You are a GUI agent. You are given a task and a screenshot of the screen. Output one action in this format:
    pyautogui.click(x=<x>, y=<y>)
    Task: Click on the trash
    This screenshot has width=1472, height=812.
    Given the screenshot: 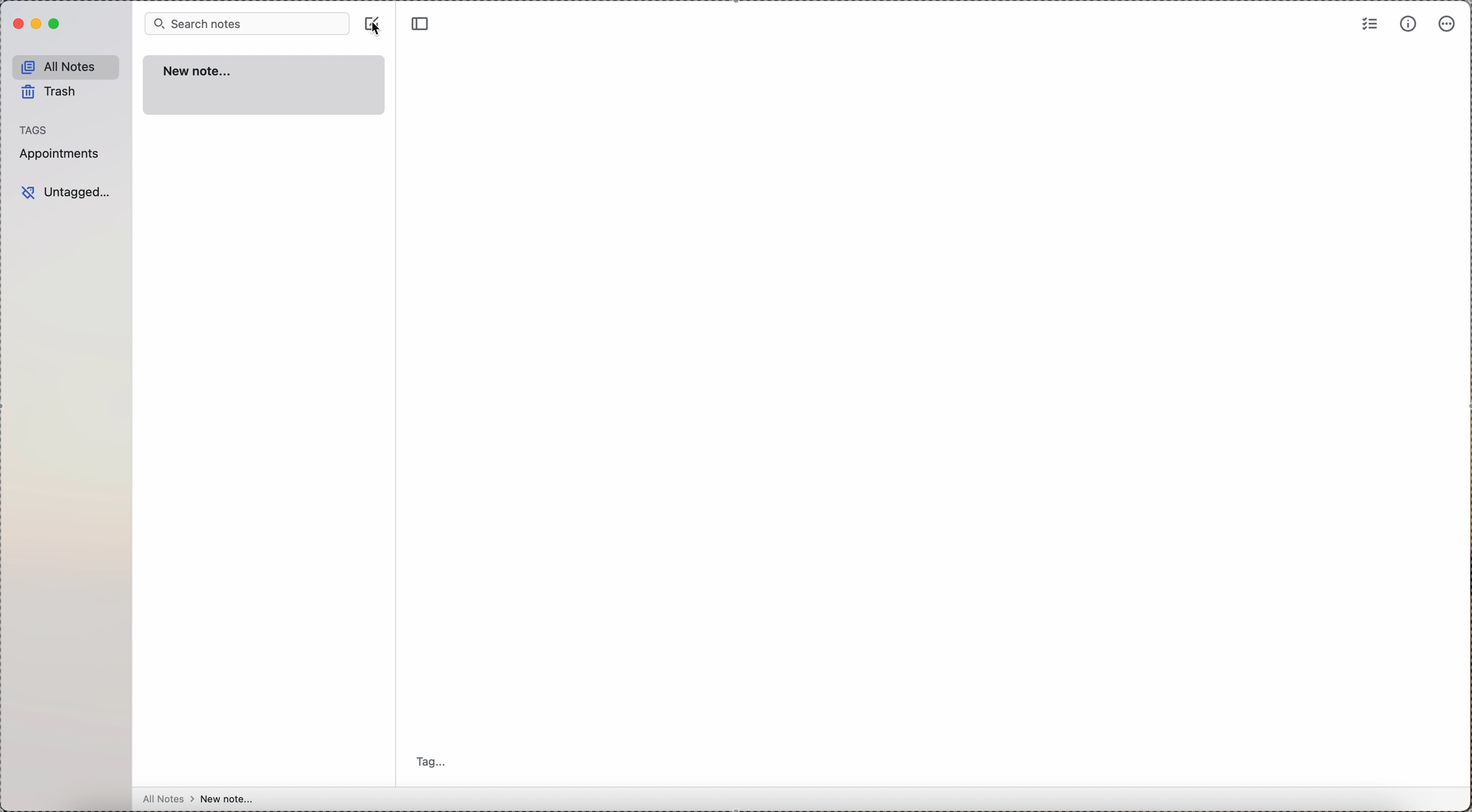 What is the action you would take?
    pyautogui.click(x=49, y=91)
    